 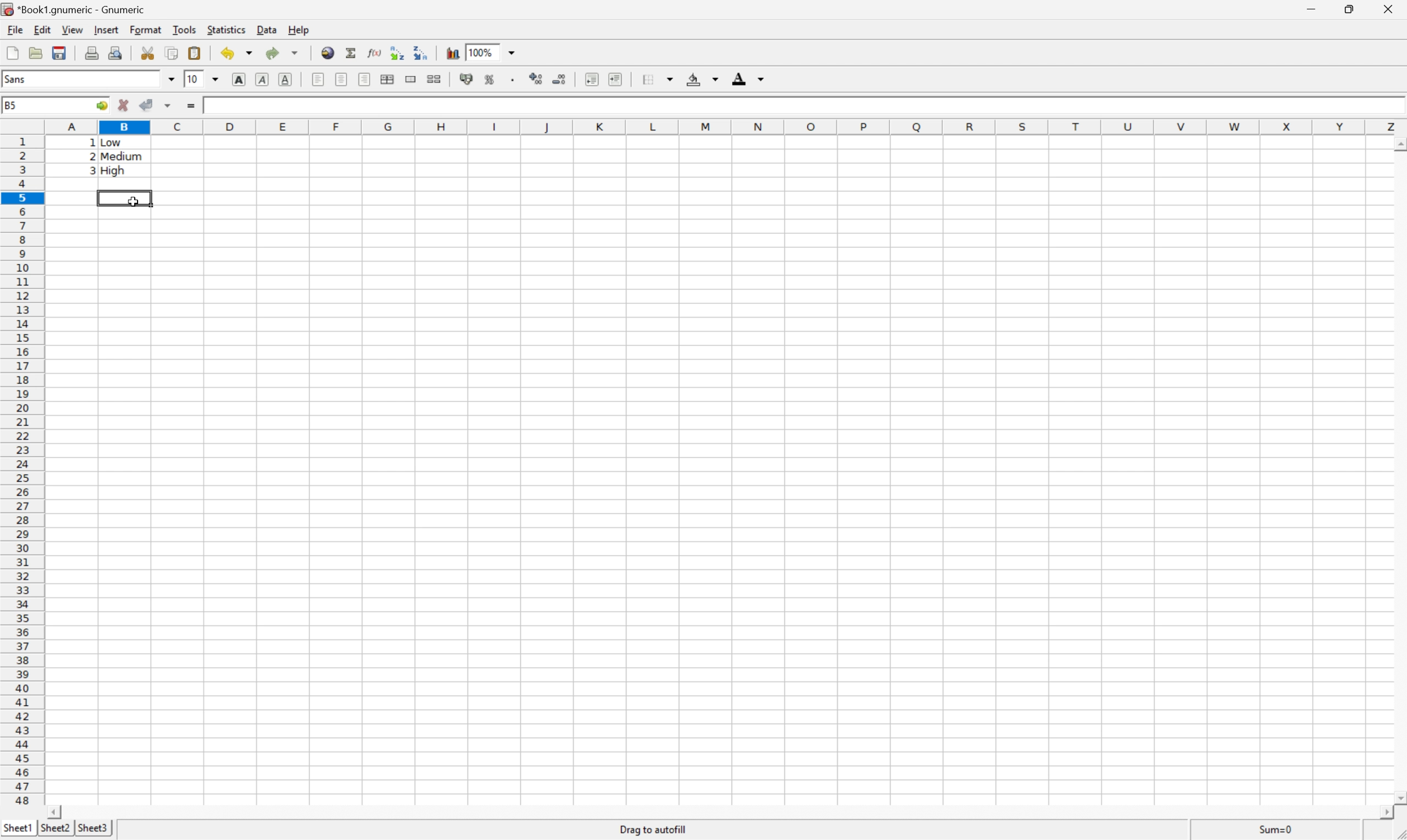 I want to click on Drag To autofill, so click(x=652, y=829).